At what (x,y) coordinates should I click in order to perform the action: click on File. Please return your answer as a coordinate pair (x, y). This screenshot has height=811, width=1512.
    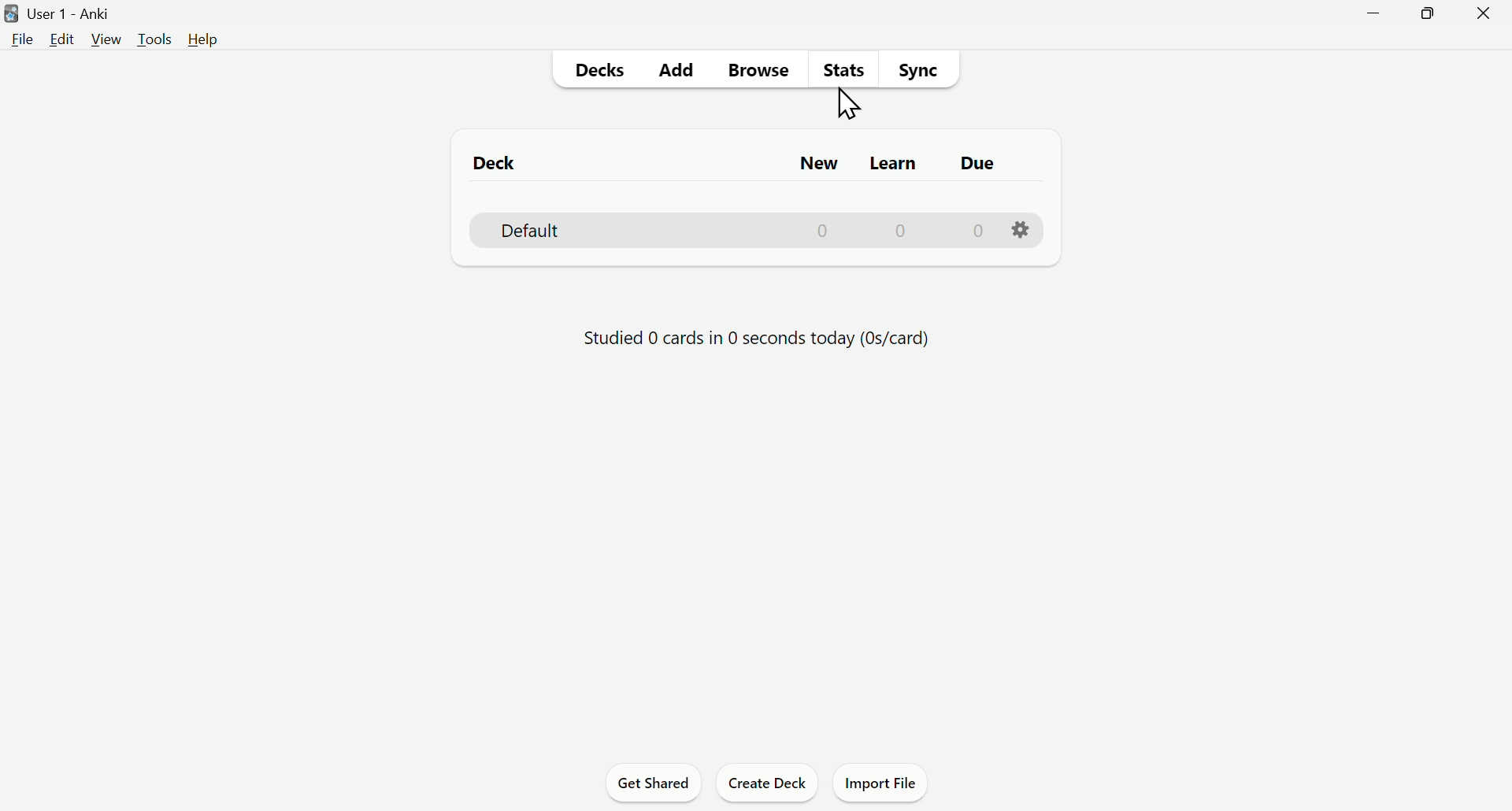
    Looking at the image, I should click on (24, 39).